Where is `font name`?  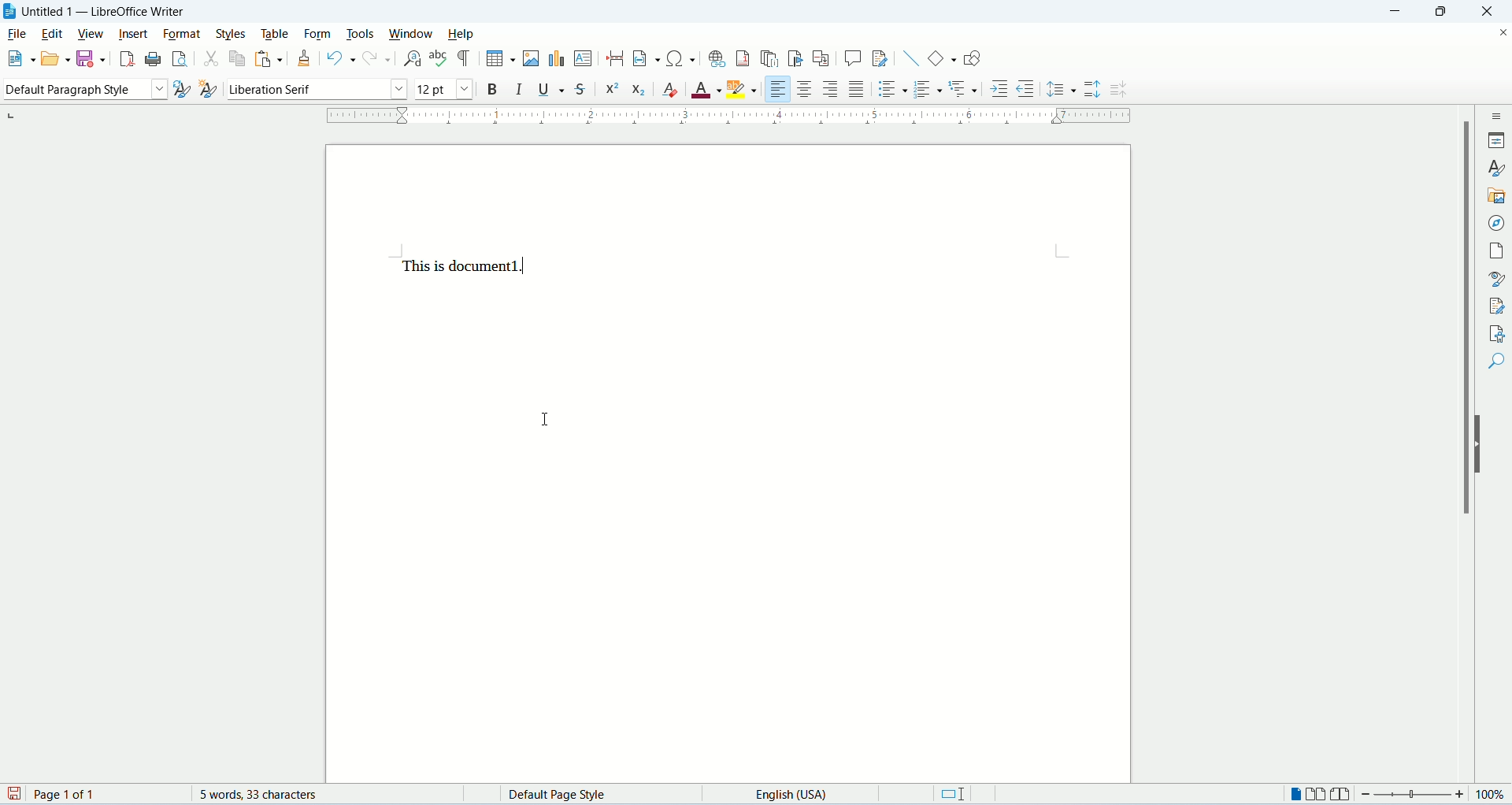
font name is located at coordinates (314, 88).